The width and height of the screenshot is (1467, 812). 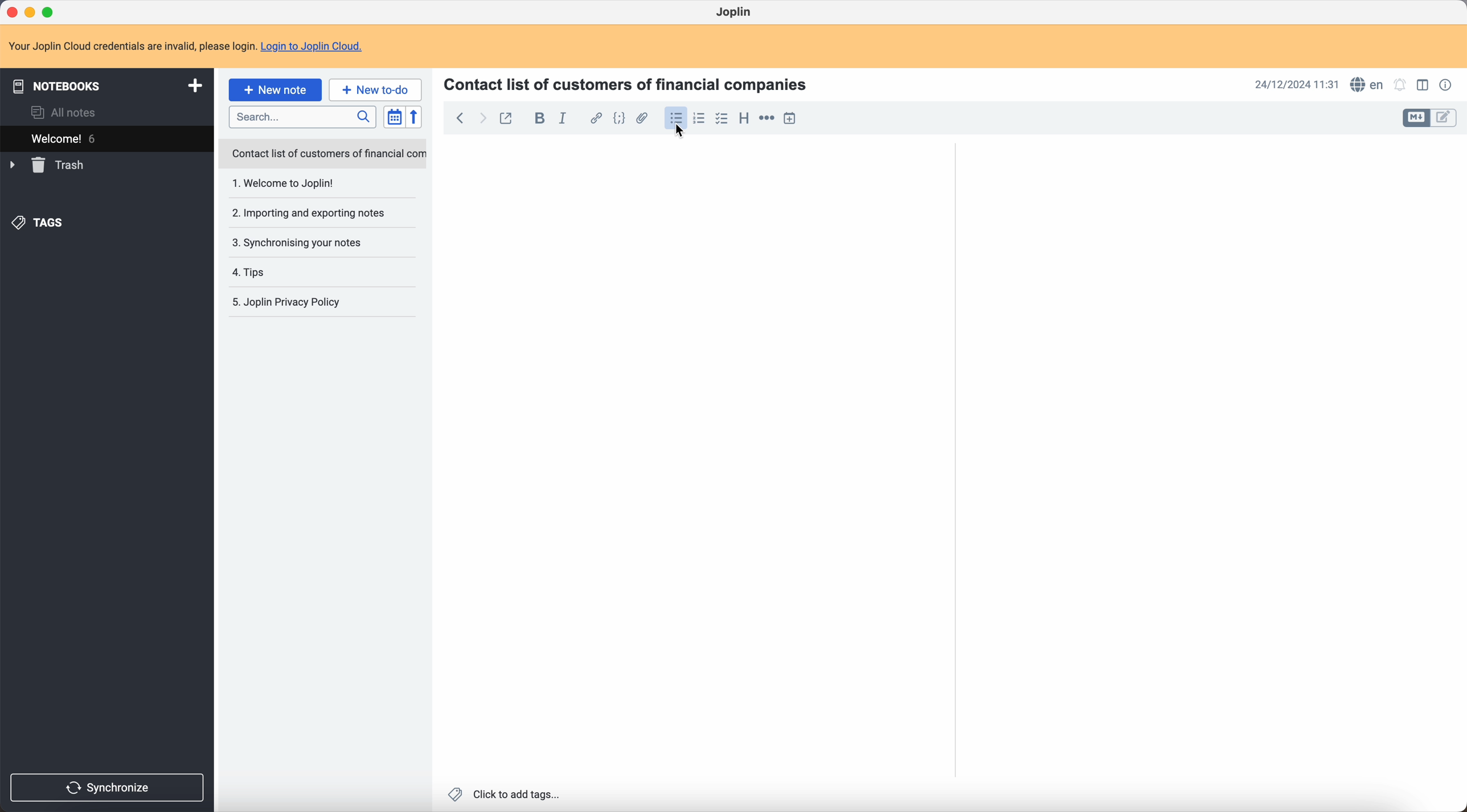 I want to click on attach file, so click(x=643, y=118).